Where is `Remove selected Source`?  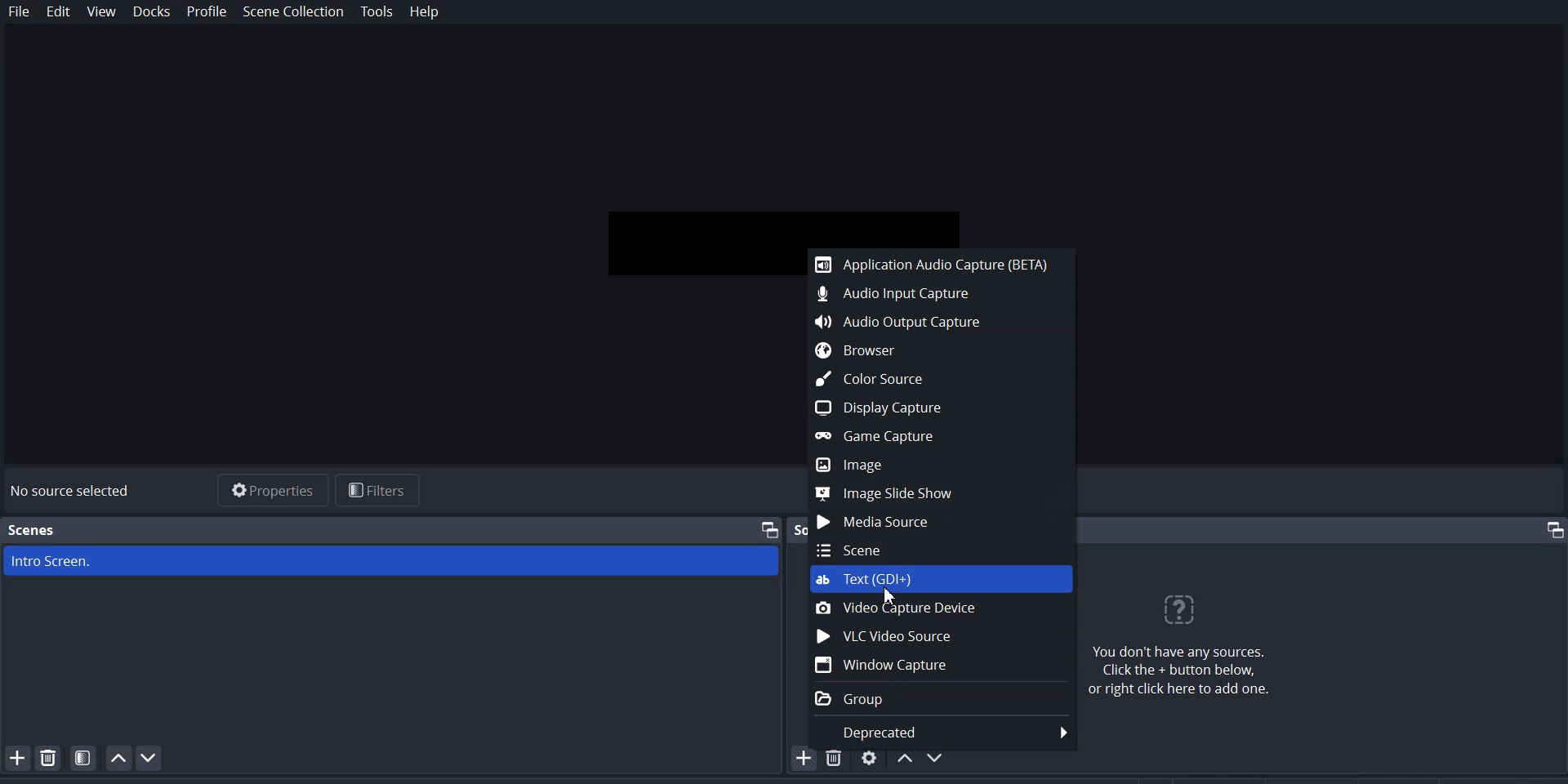 Remove selected Source is located at coordinates (836, 757).